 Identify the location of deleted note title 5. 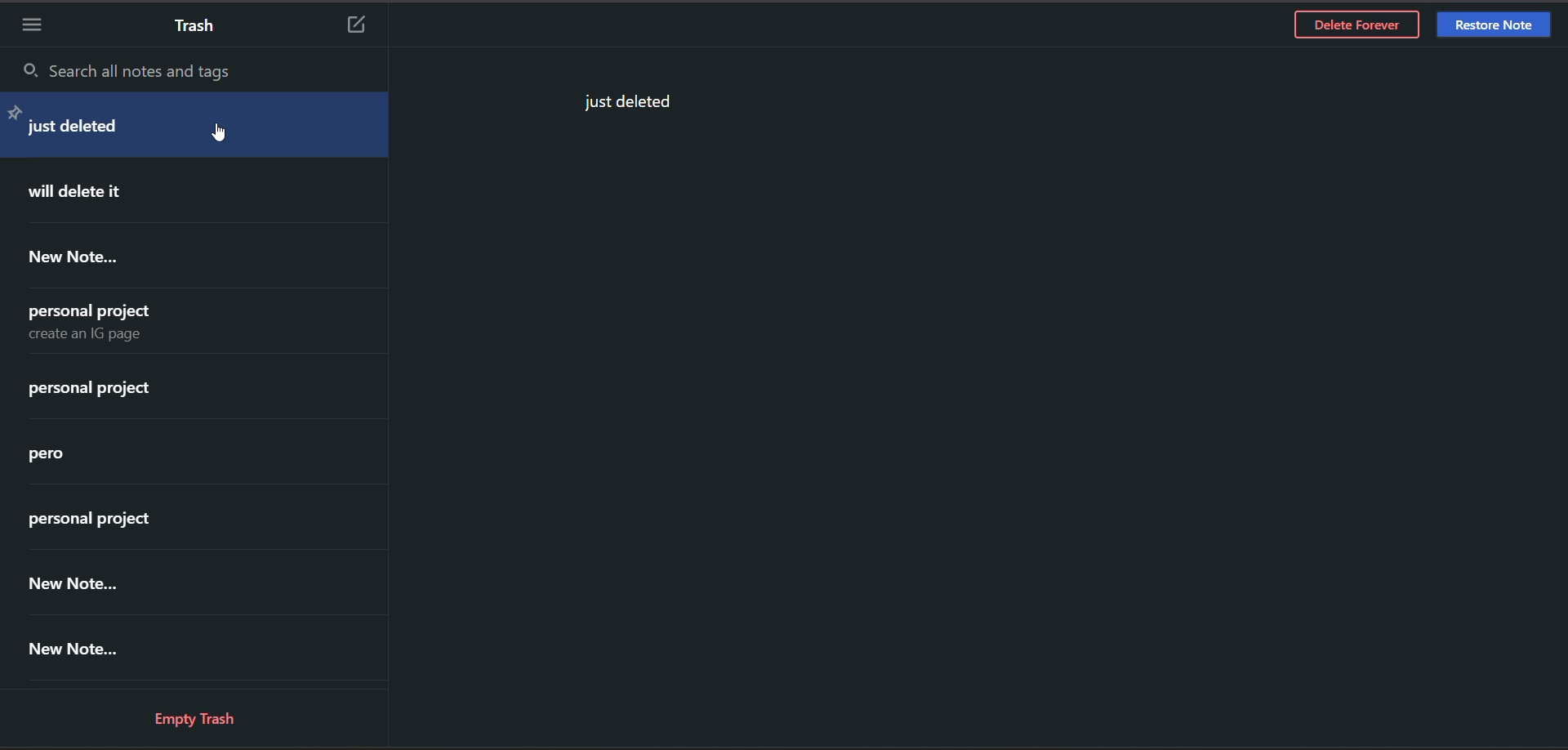
(122, 391).